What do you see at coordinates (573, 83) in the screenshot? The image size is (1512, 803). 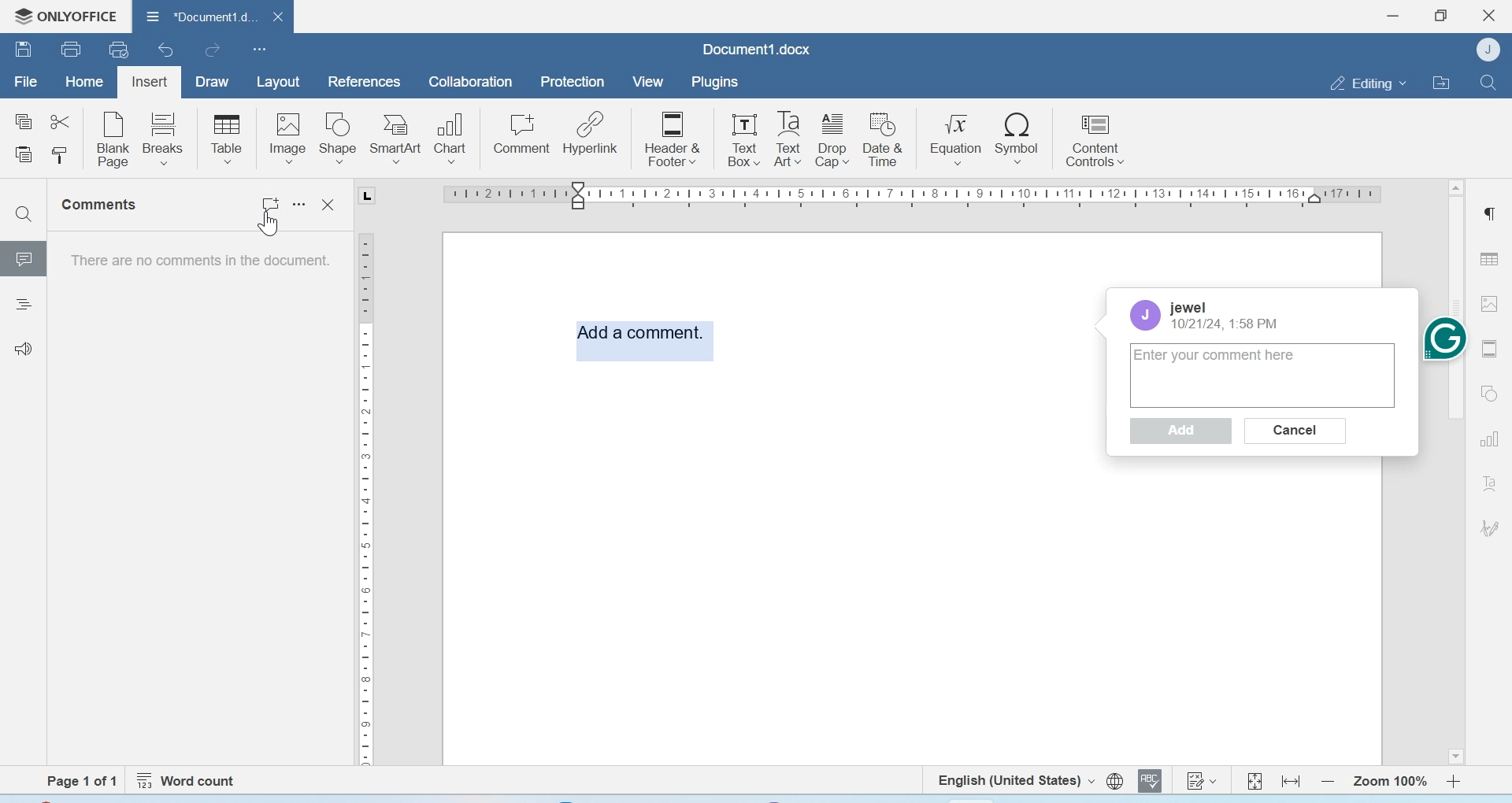 I see `Protection` at bounding box center [573, 83].